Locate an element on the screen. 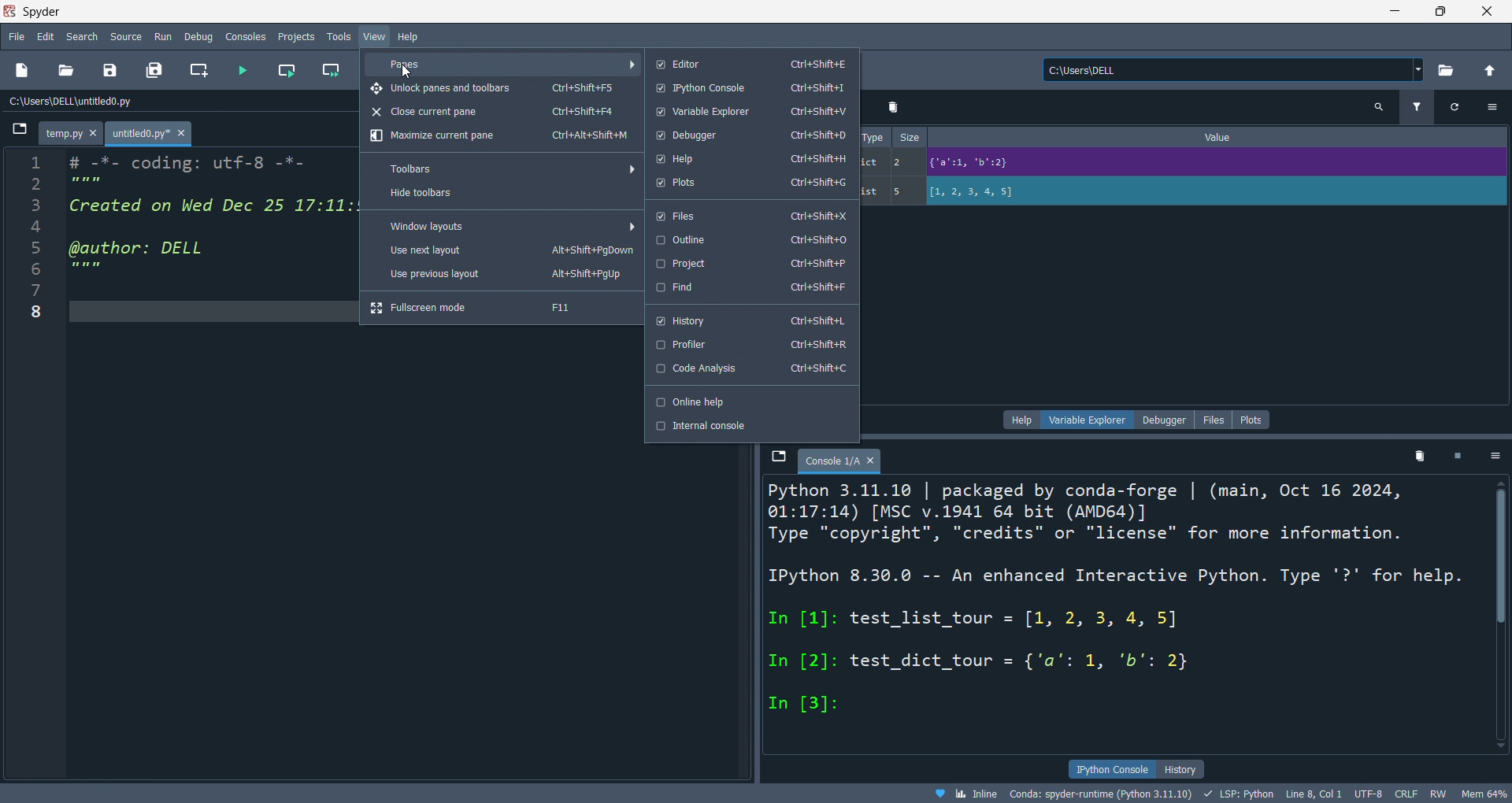 This screenshot has height=803, width=1512. cursor position is located at coordinates (1313, 794).